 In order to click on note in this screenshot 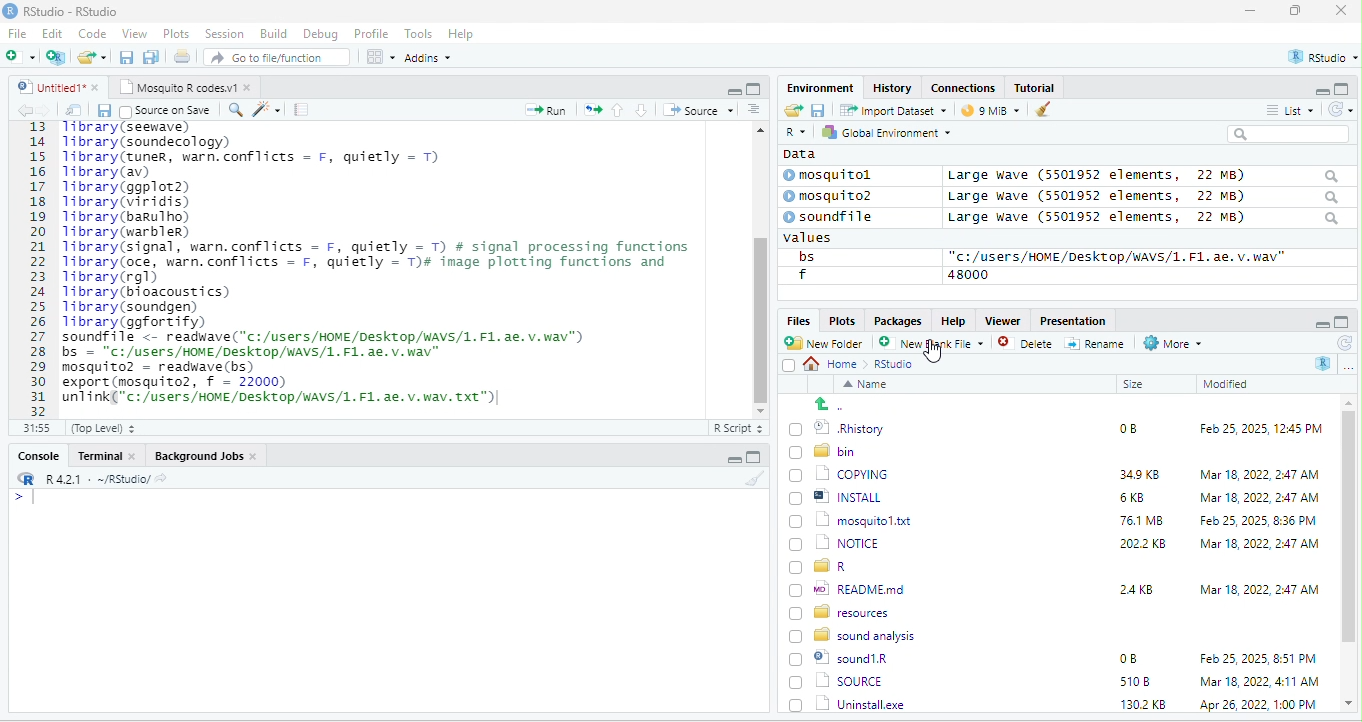, I will do `click(302, 109)`.